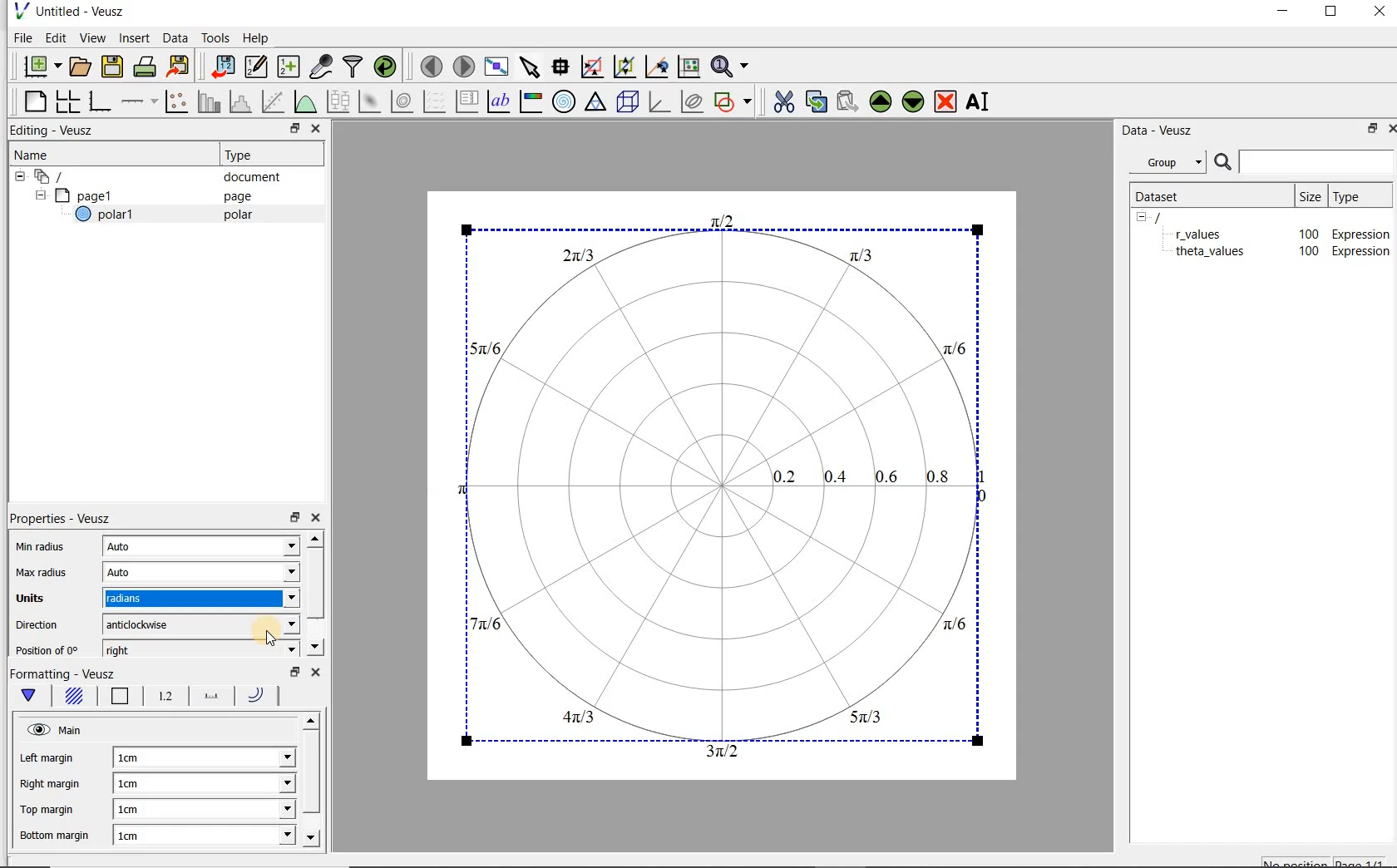 The image size is (1397, 868). What do you see at coordinates (1172, 165) in the screenshot?
I see `Group` at bounding box center [1172, 165].